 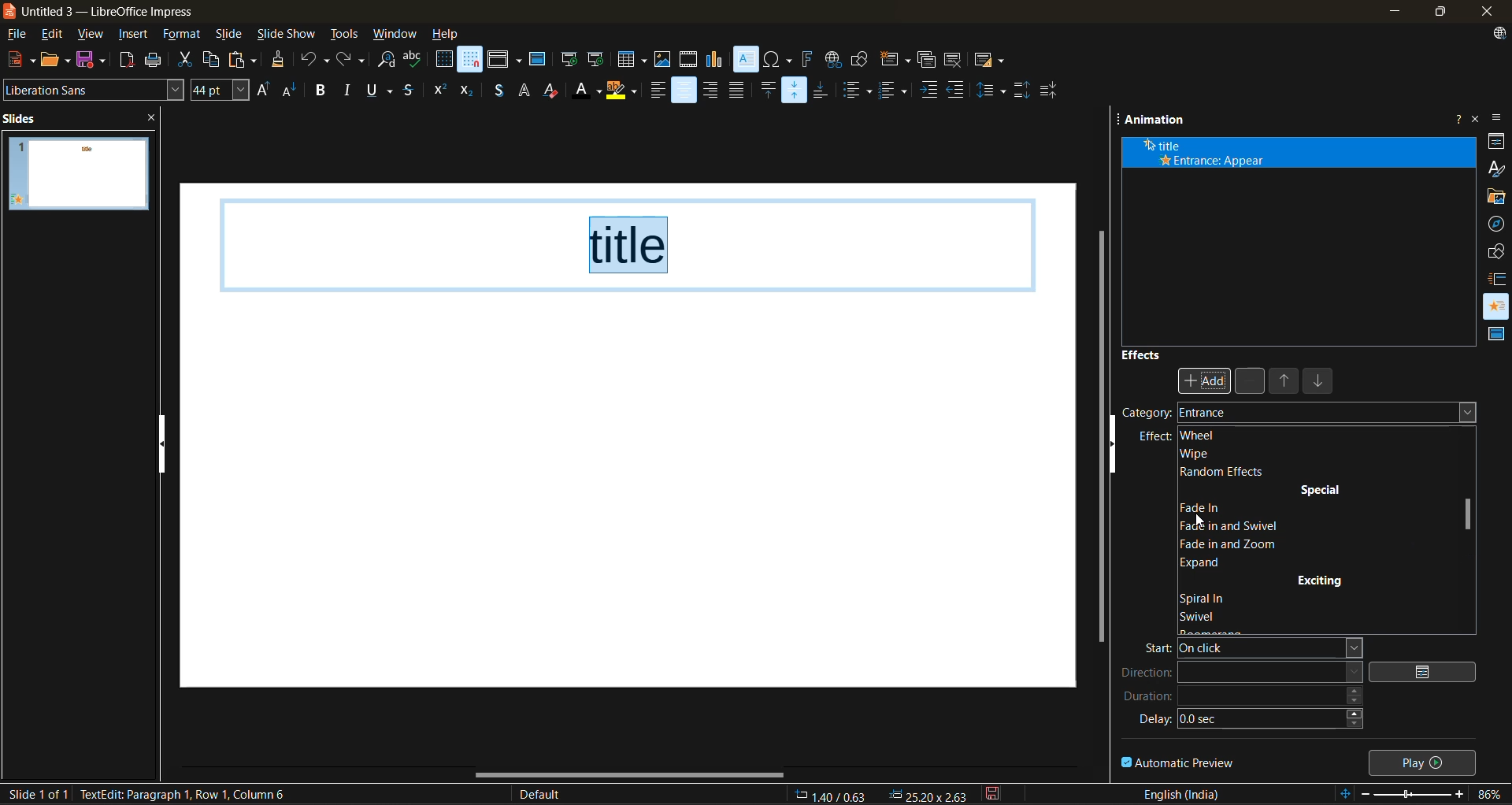 I want to click on bold, so click(x=322, y=91).